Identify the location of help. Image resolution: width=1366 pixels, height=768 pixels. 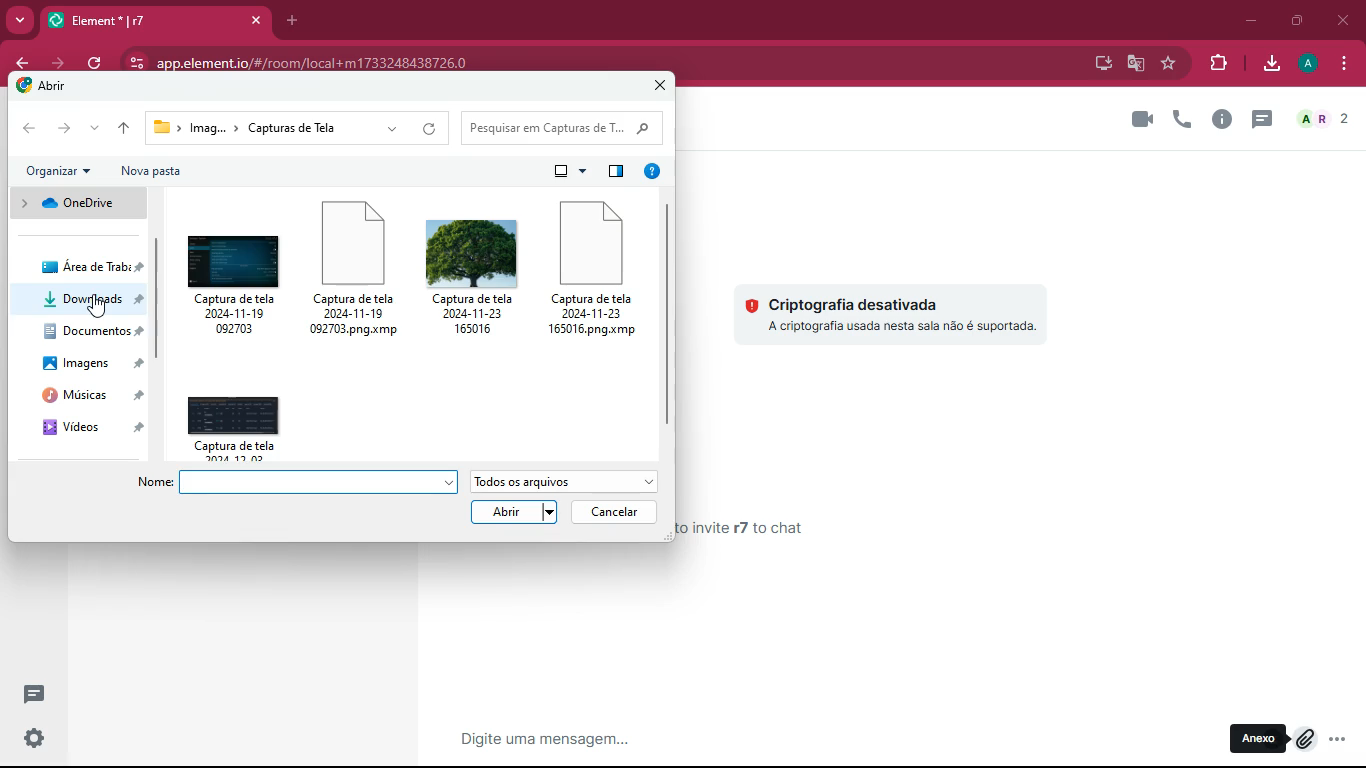
(656, 173).